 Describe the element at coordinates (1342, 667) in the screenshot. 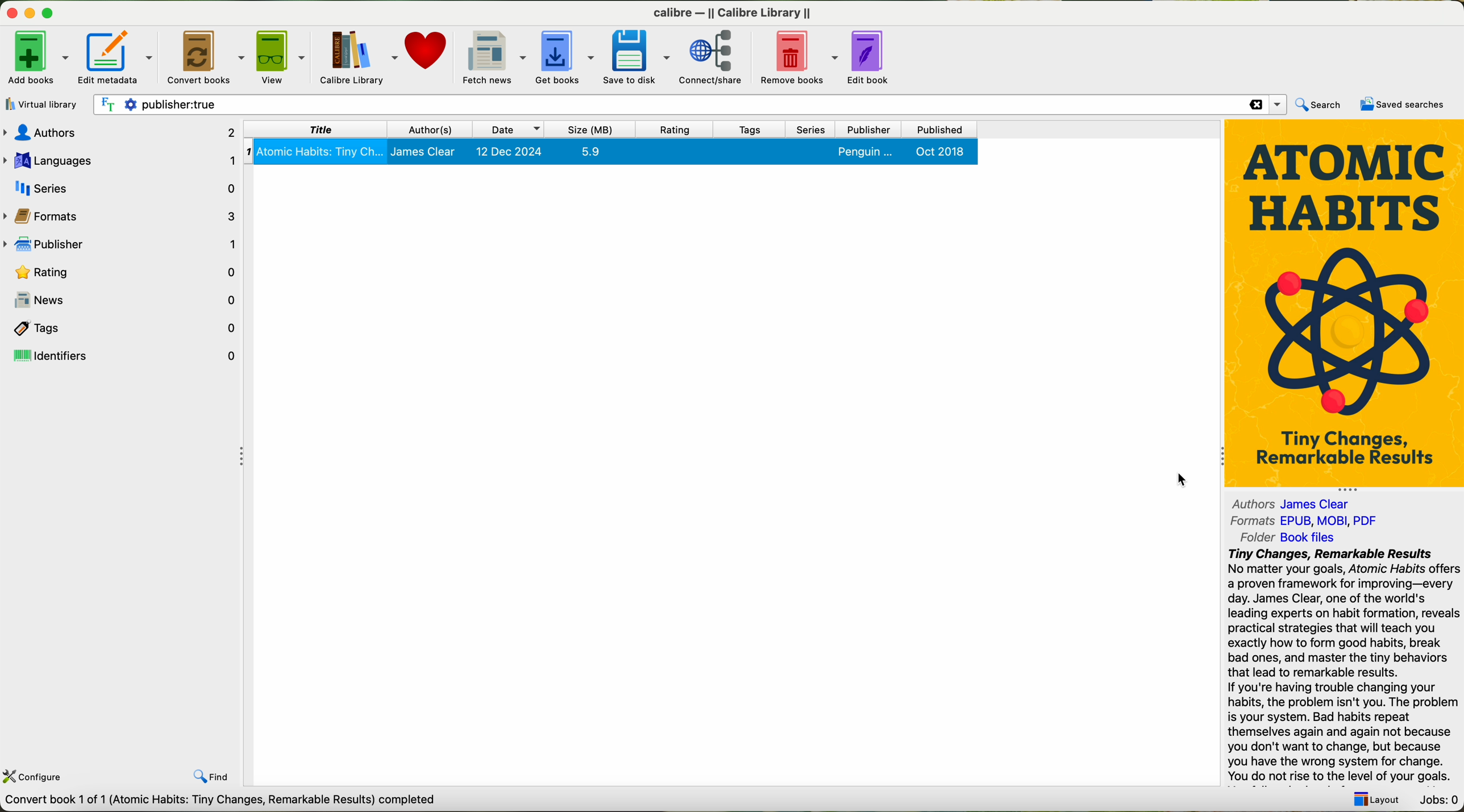

I see `summary` at that location.